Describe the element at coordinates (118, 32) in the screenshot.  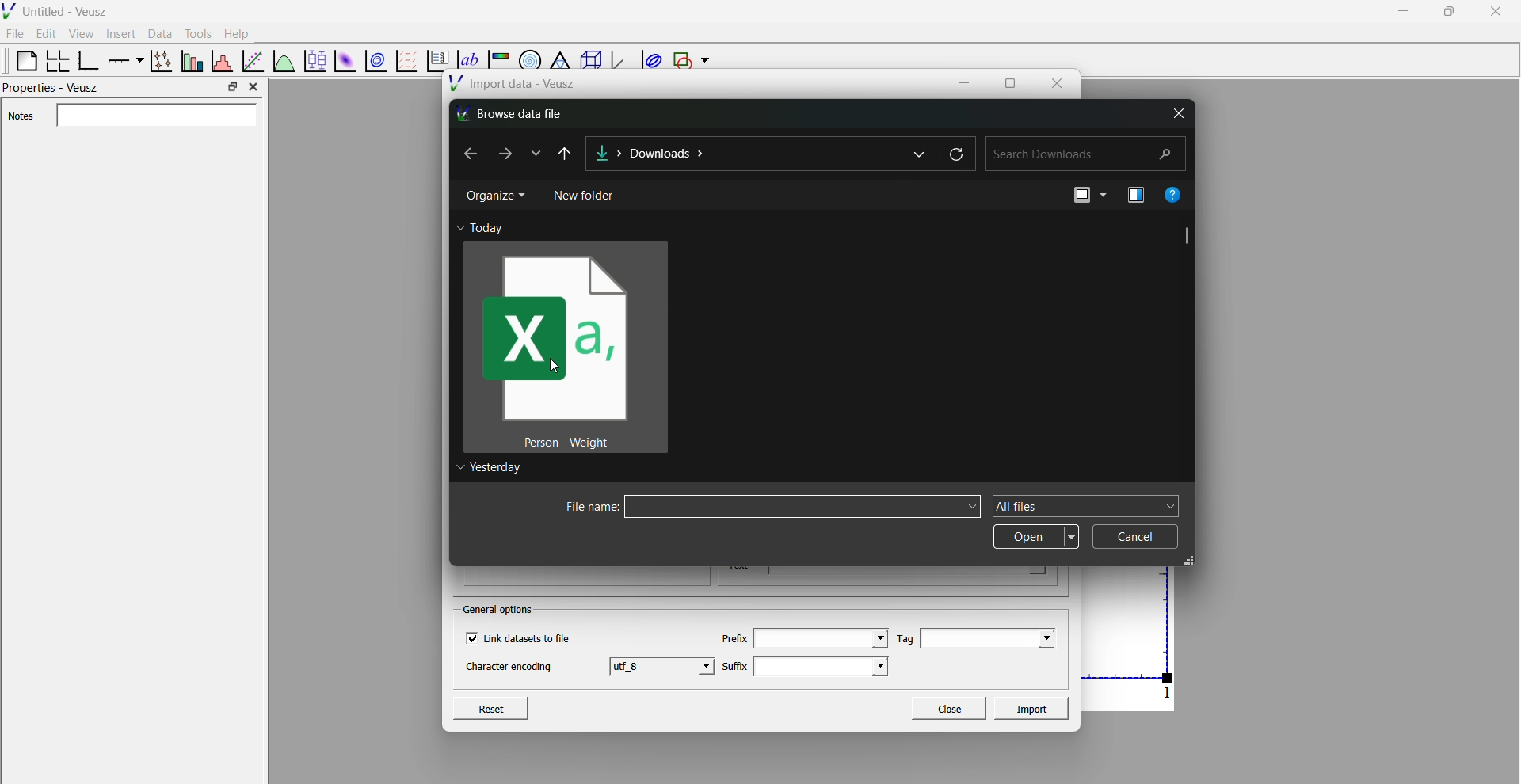
I see `insert` at that location.